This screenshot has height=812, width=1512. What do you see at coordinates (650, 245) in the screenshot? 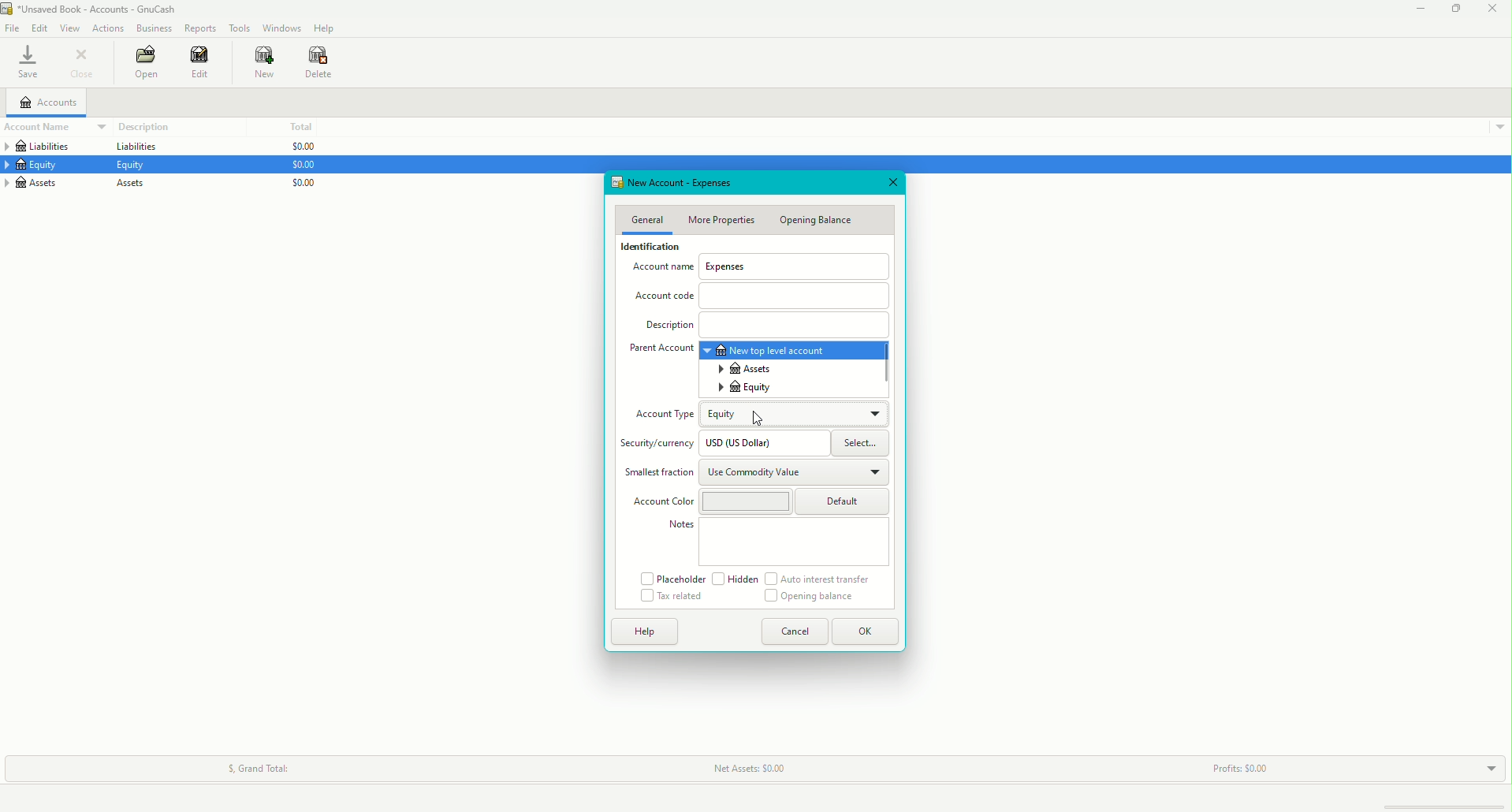
I see `Identification` at bounding box center [650, 245].